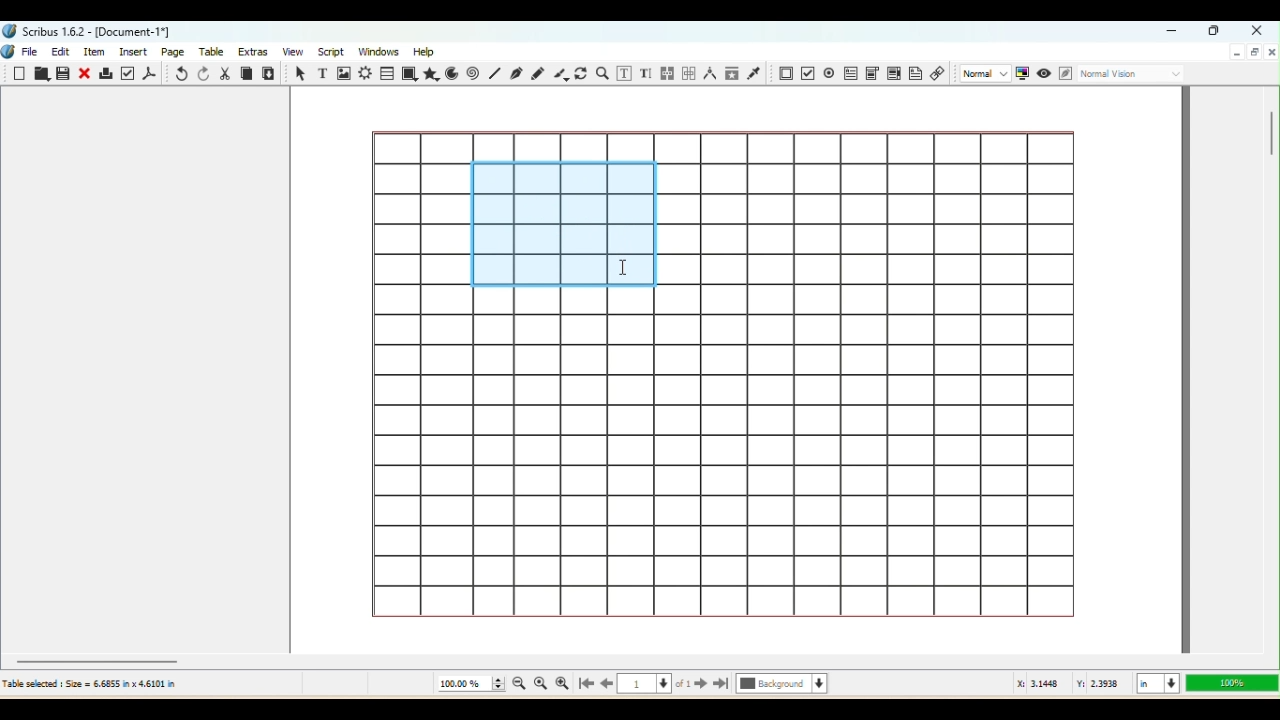 The width and height of the screenshot is (1280, 720). What do you see at coordinates (1230, 683) in the screenshot?
I see `Zoom level` at bounding box center [1230, 683].